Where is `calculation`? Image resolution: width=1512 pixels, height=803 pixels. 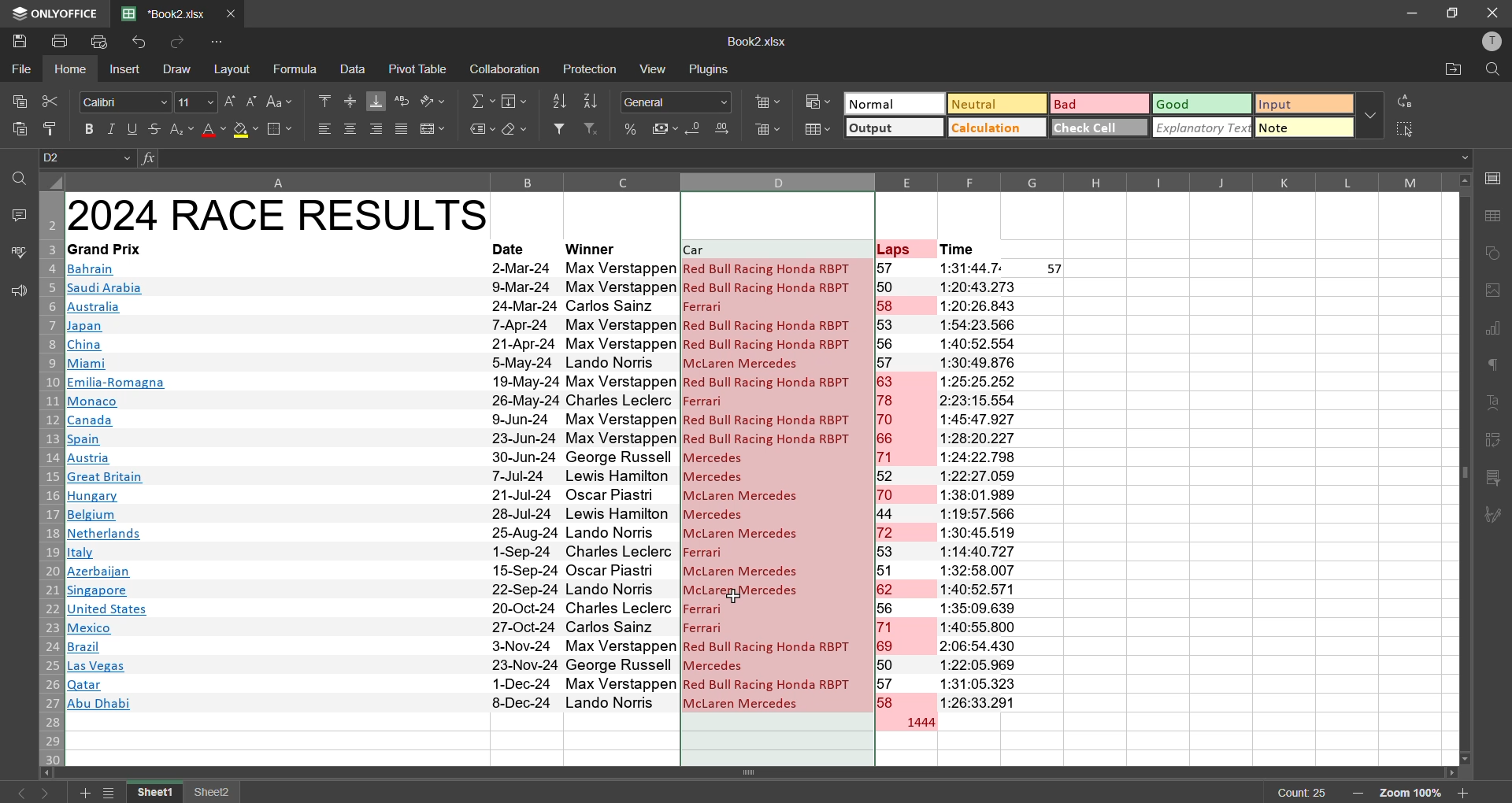 calculation is located at coordinates (993, 127).